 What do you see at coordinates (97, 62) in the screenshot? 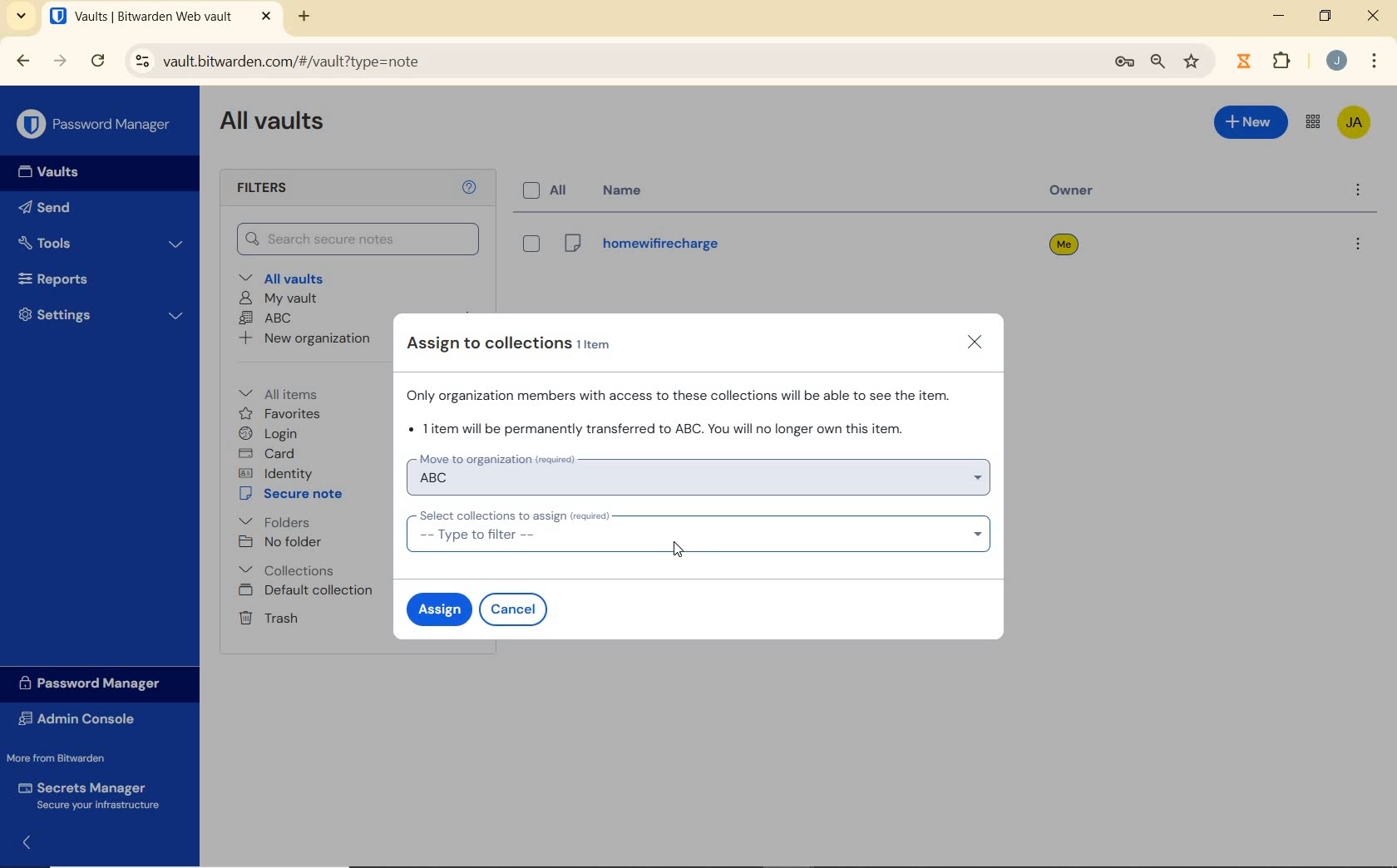
I see `reload` at bounding box center [97, 62].